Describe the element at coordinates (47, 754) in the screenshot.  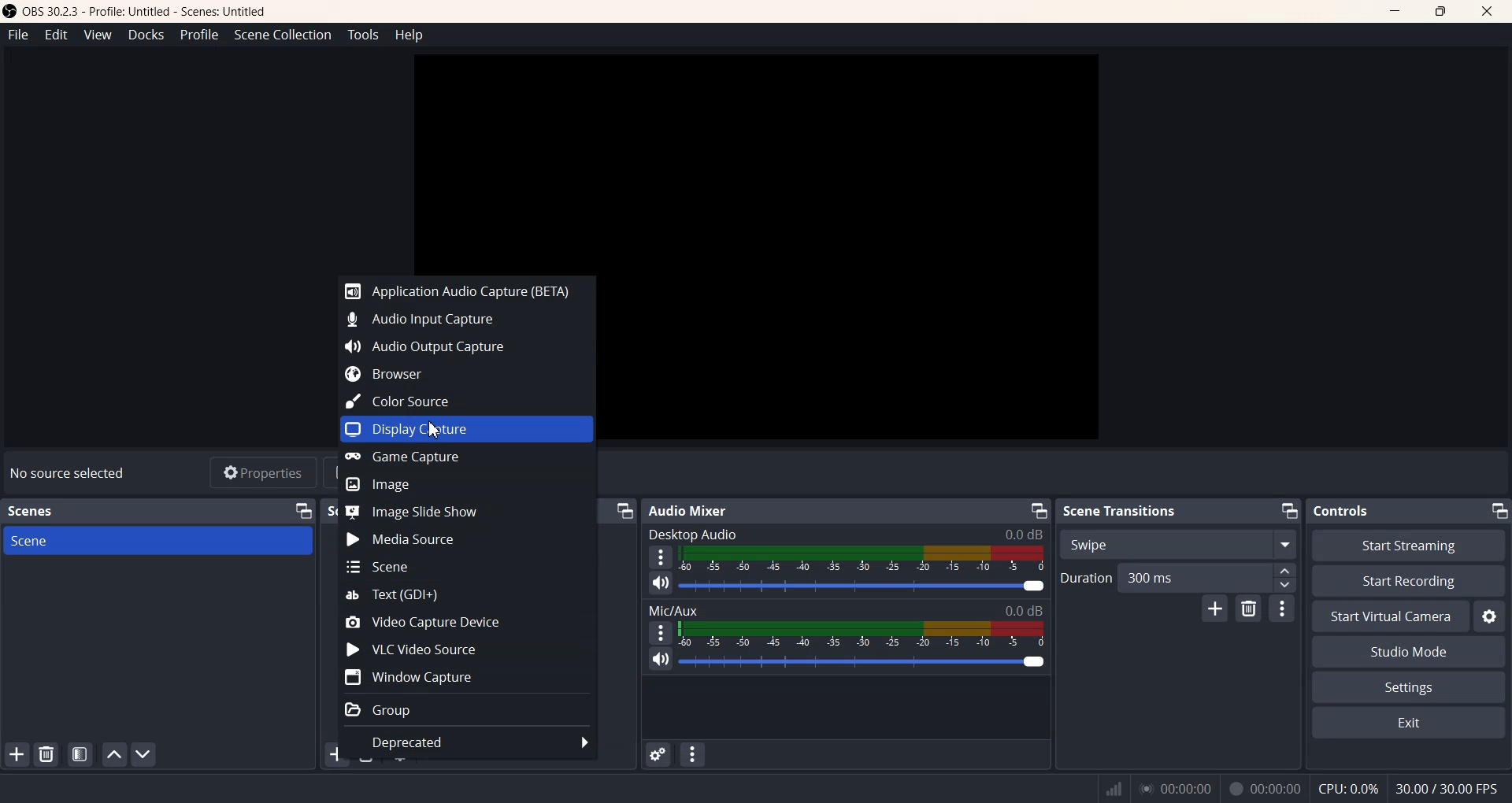
I see `Remove Selected scene` at that location.